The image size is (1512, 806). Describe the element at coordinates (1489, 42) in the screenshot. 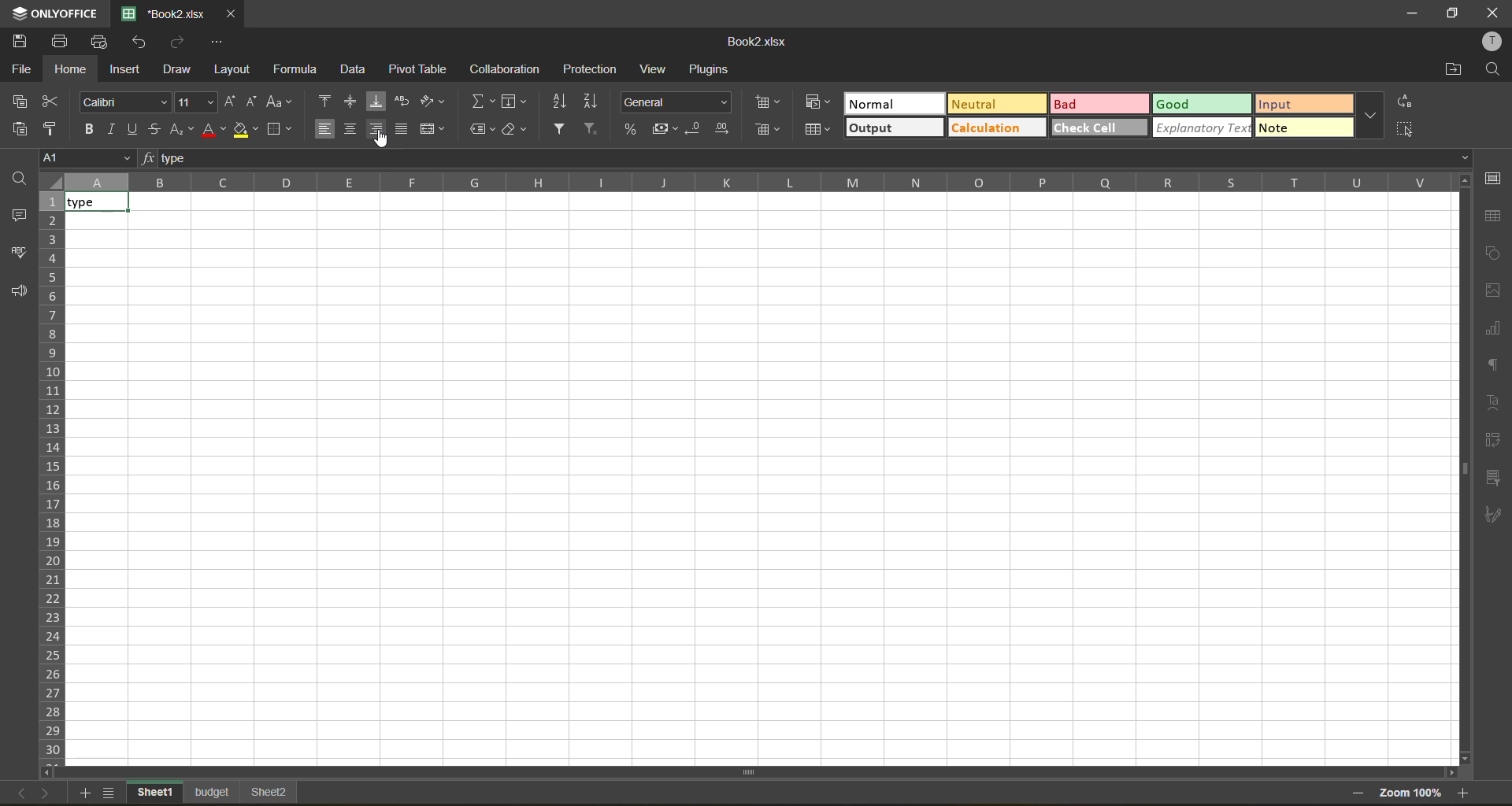

I see `profile` at that location.